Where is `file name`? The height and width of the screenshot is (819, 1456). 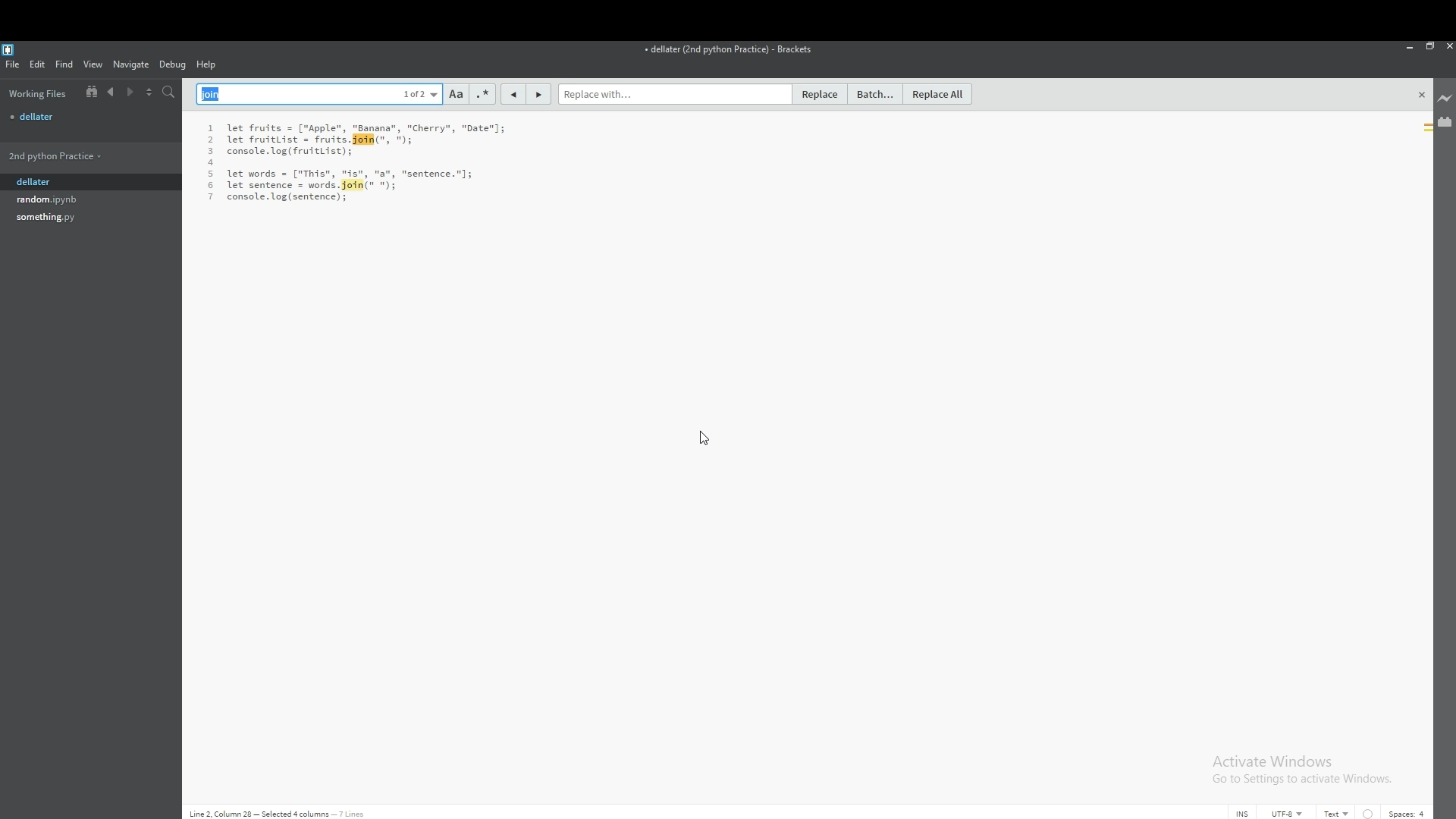 file name is located at coordinates (728, 51).